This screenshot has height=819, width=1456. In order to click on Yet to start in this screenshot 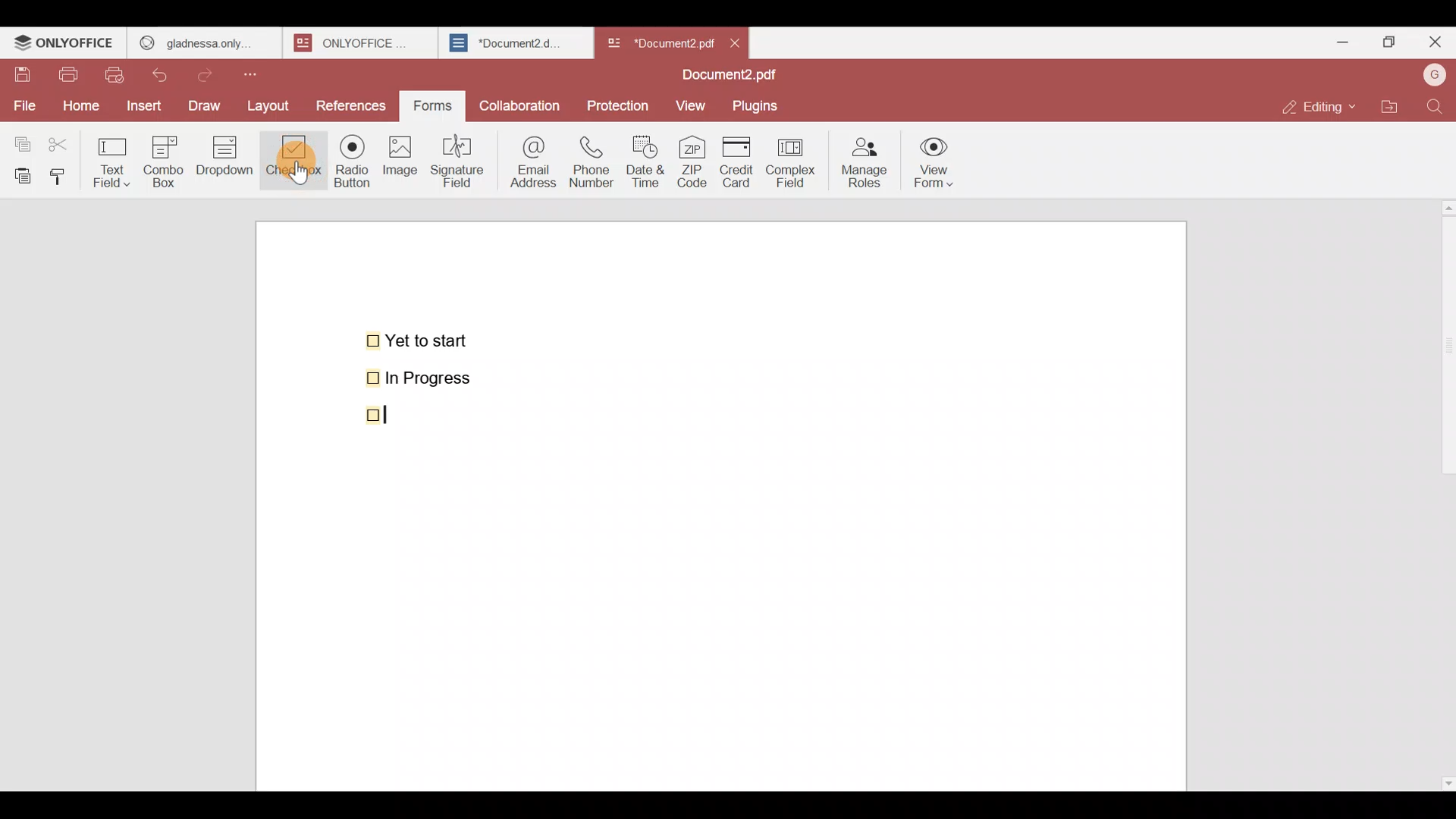, I will do `click(420, 339)`.